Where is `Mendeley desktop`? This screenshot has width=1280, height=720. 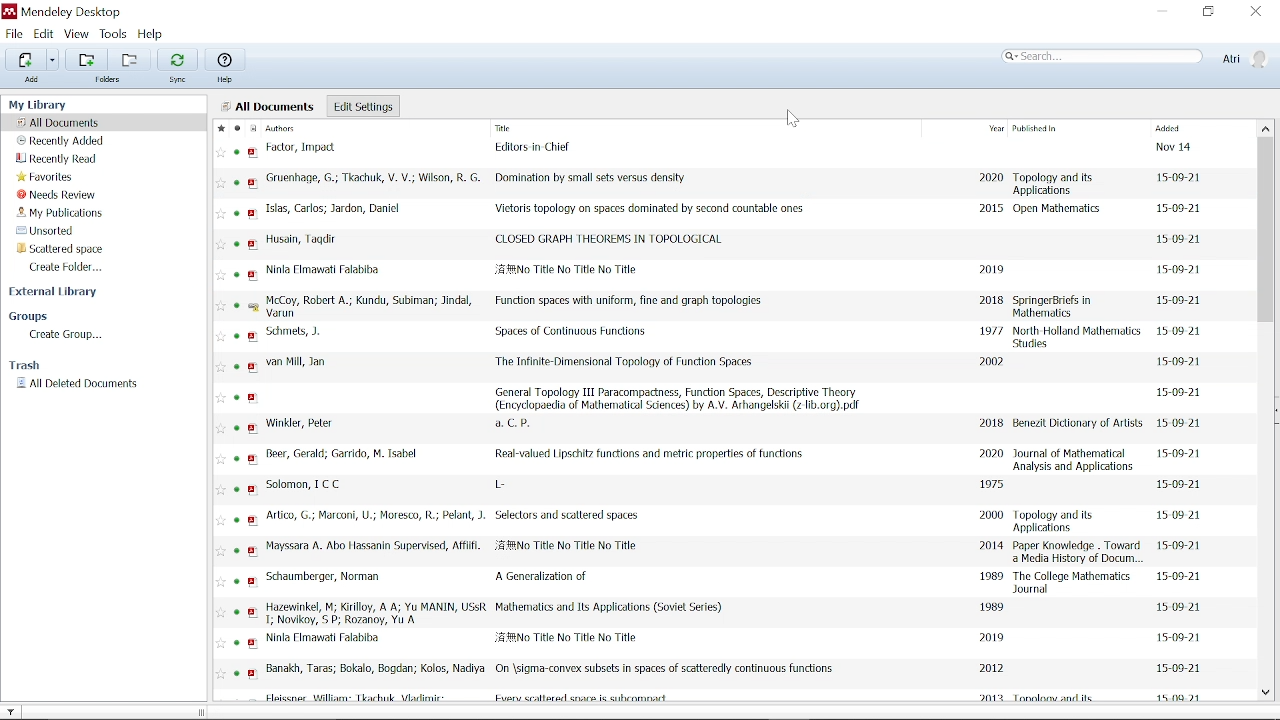
Mendeley desktop is located at coordinates (68, 12).